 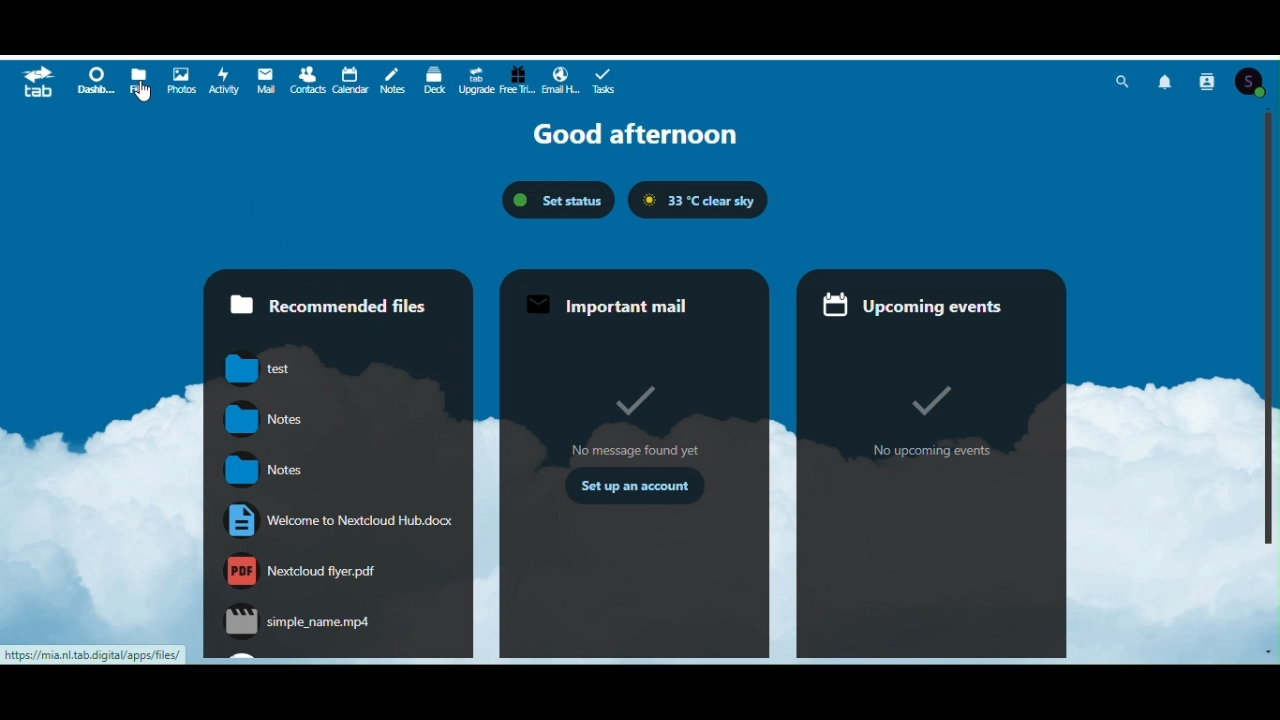 What do you see at coordinates (634, 484) in the screenshot?
I see `set up an account` at bounding box center [634, 484].